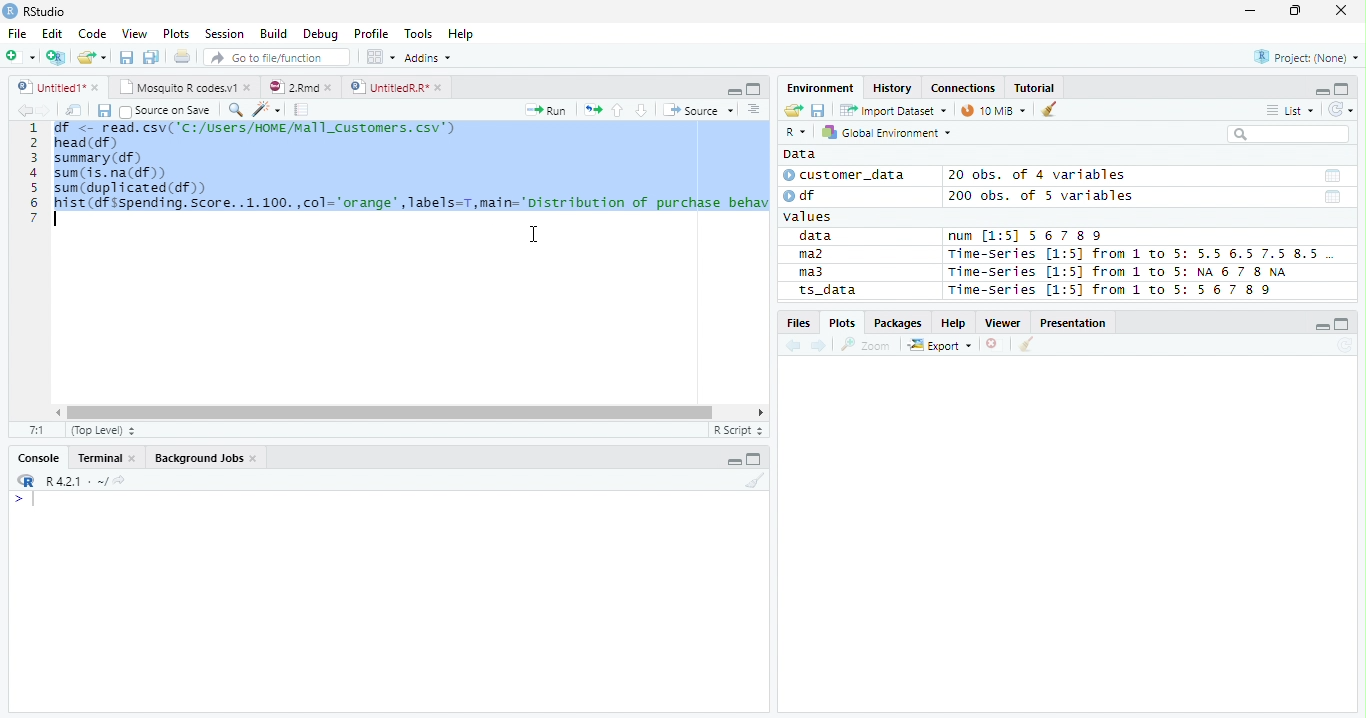 The height and width of the screenshot is (718, 1366). What do you see at coordinates (791, 111) in the screenshot?
I see `Open folder` at bounding box center [791, 111].